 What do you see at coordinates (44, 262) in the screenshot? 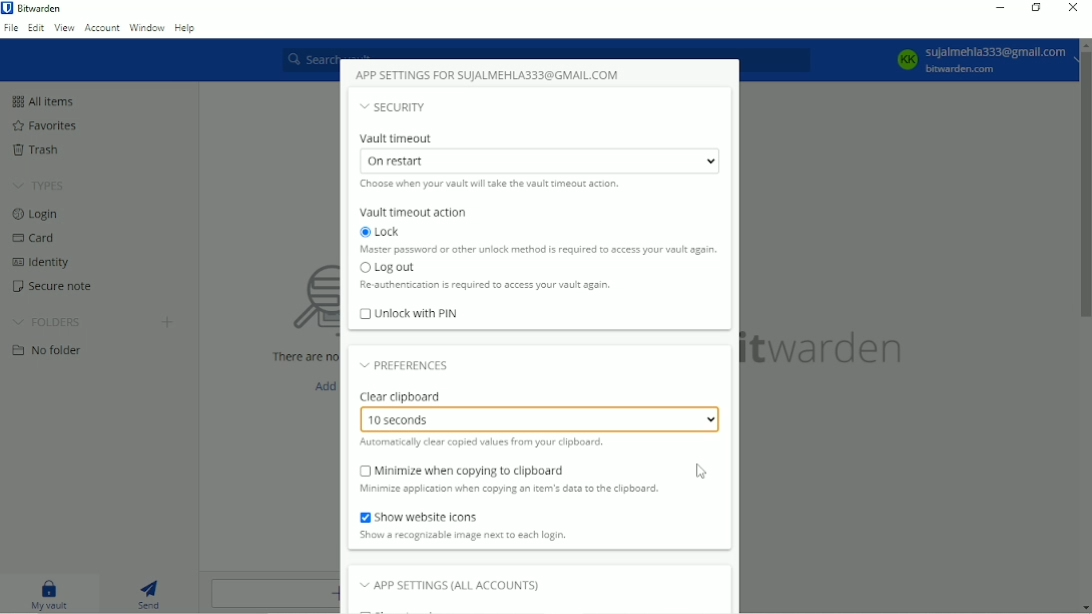
I see `Identity` at bounding box center [44, 262].